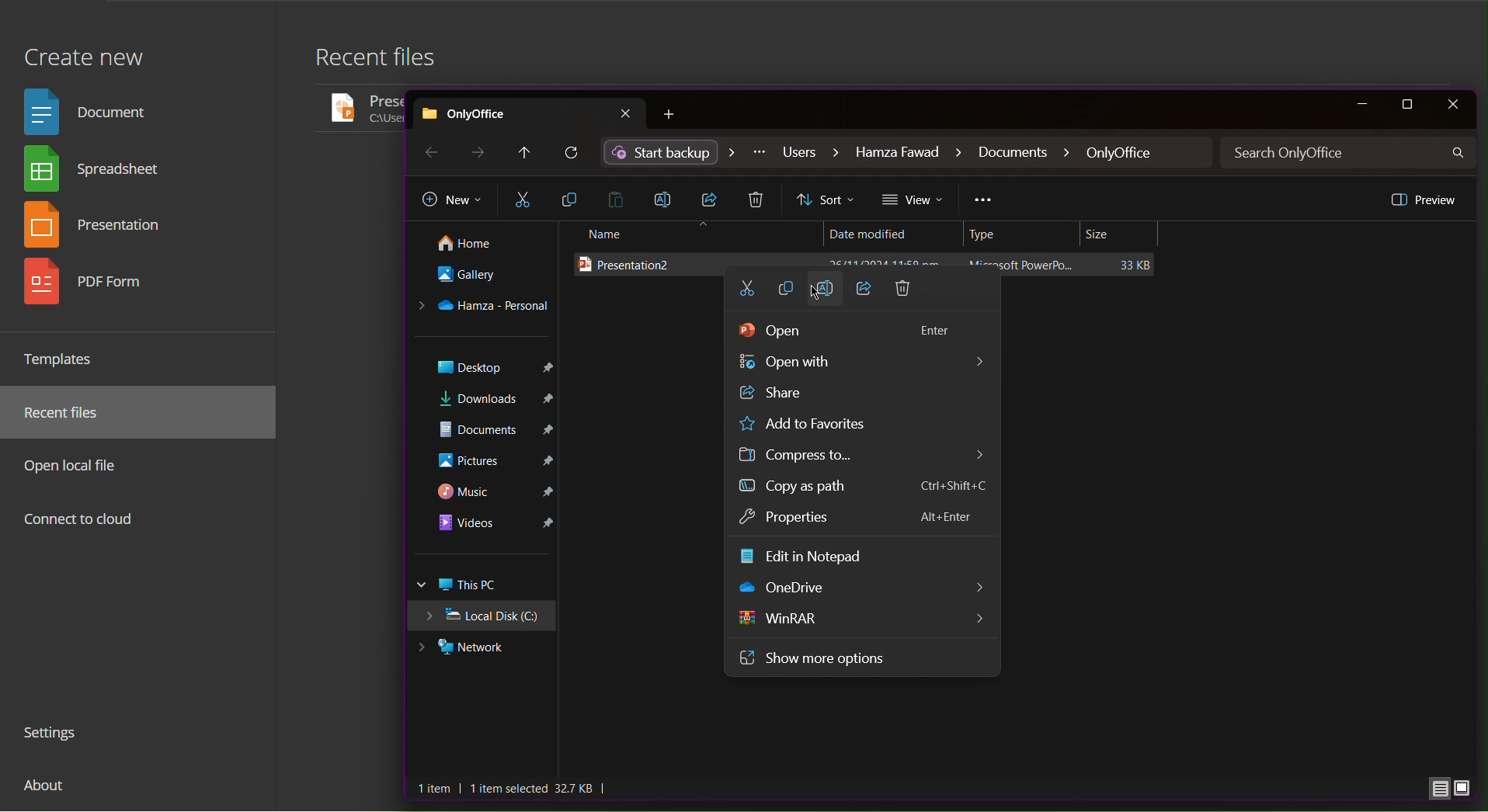 Image resolution: width=1488 pixels, height=812 pixels. Describe the element at coordinates (1422, 199) in the screenshot. I see `Preview` at that location.